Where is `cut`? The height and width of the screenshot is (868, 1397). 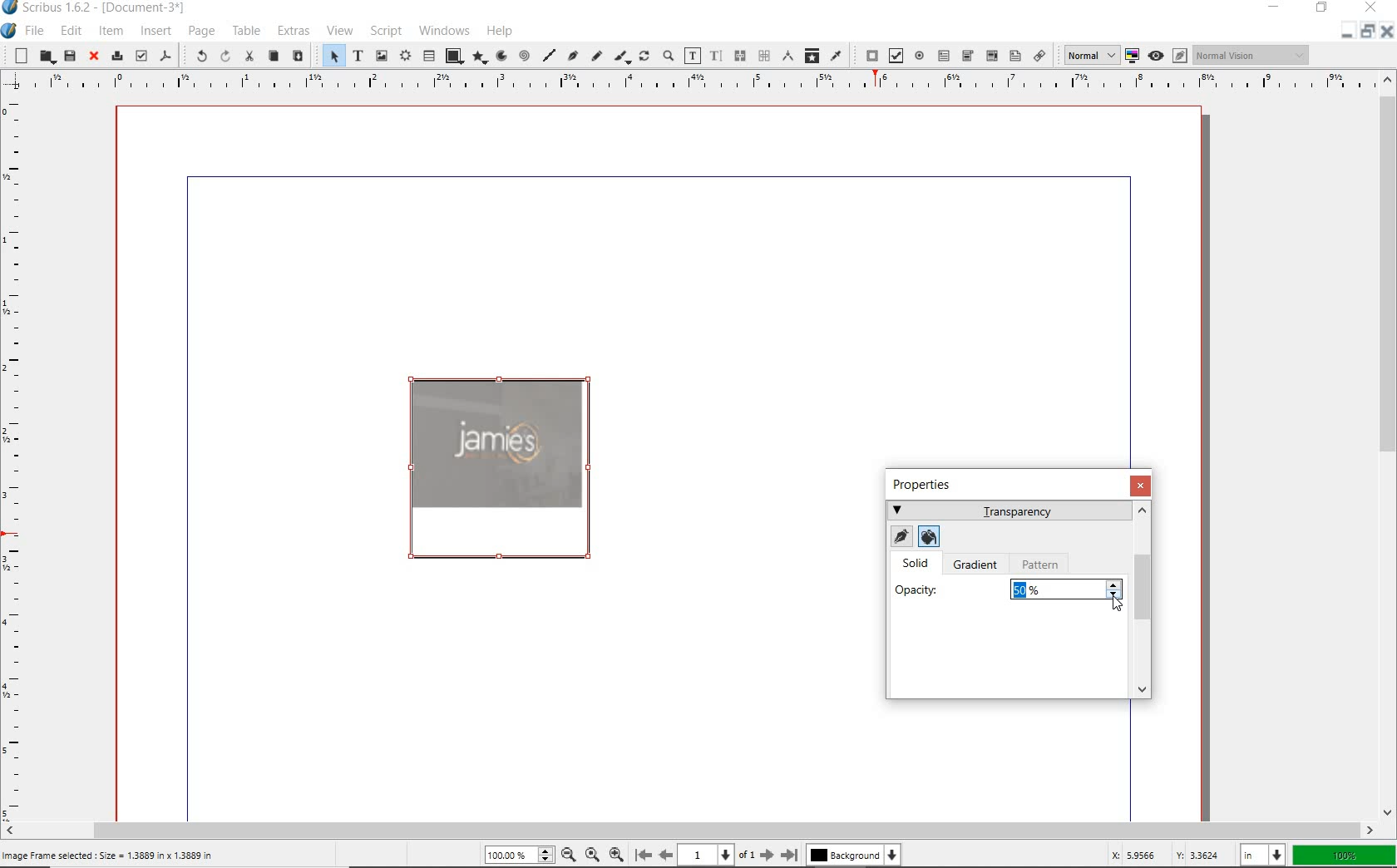
cut is located at coordinates (249, 57).